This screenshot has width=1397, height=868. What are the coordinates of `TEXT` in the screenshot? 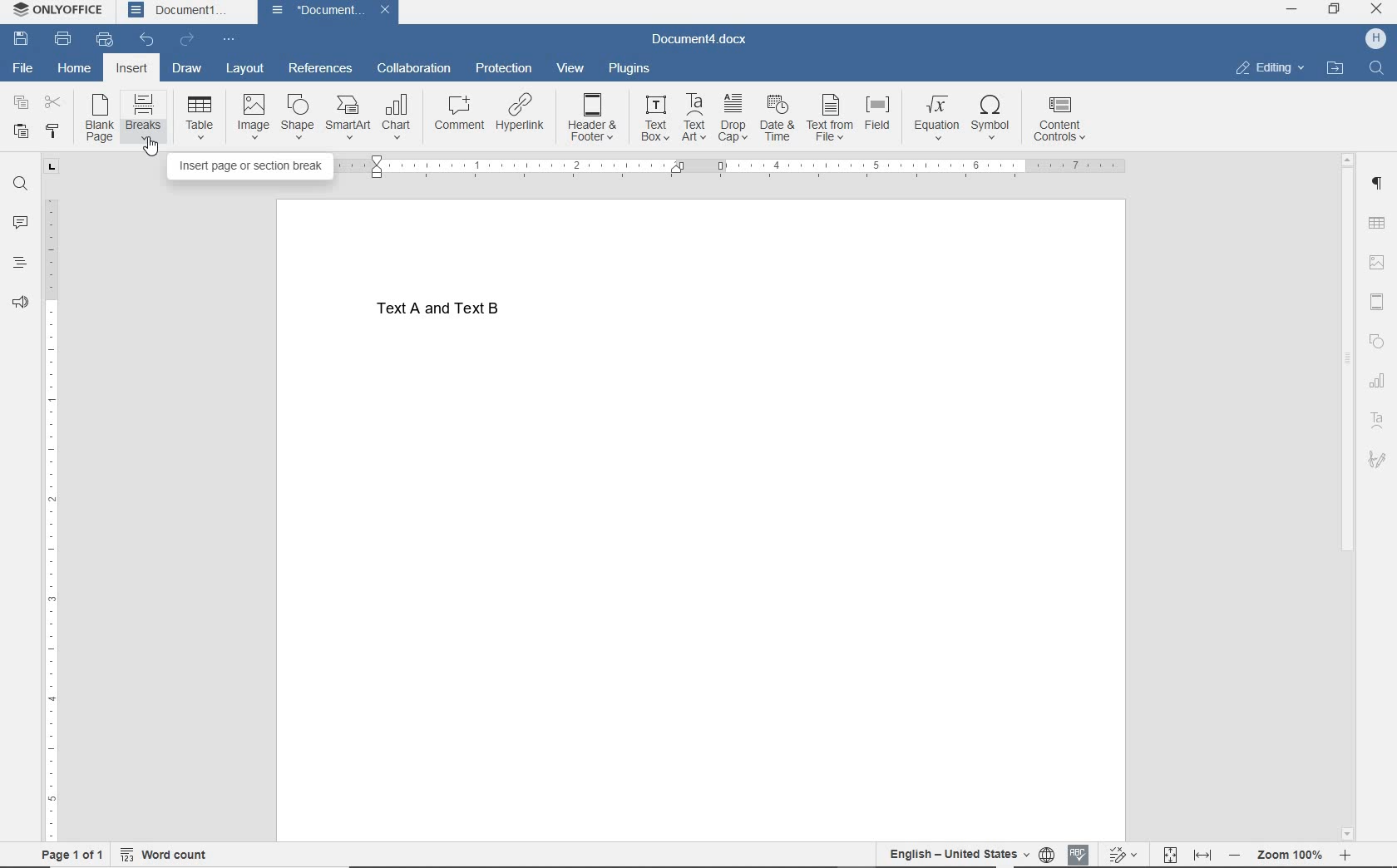 It's located at (456, 313).